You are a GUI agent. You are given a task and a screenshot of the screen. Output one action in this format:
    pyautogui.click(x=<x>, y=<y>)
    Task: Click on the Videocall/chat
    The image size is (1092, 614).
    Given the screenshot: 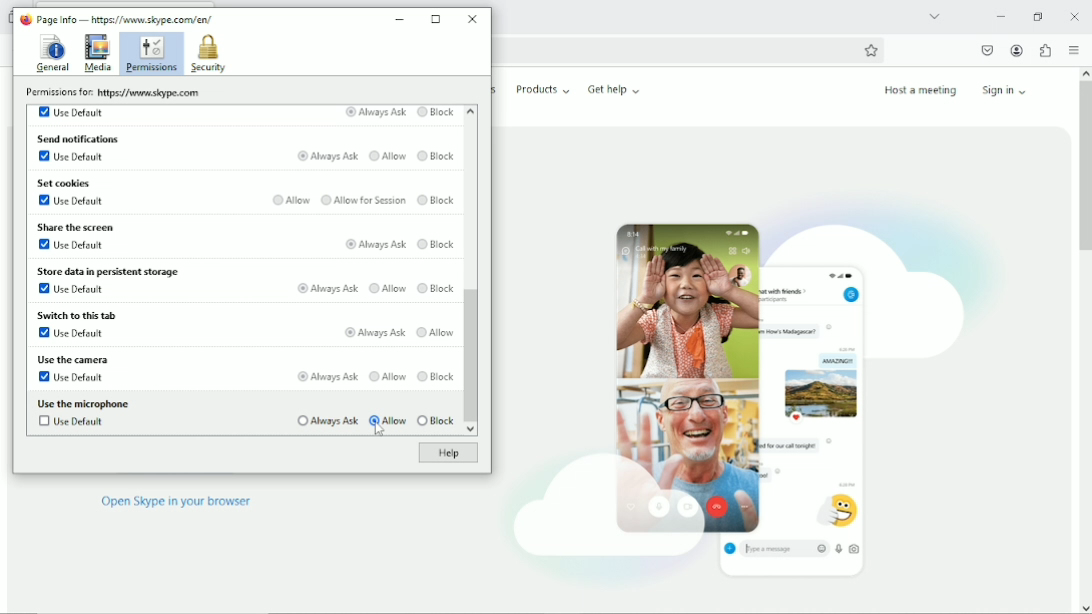 What is the action you would take?
    pyautogui.click(x=745, y=387)
    